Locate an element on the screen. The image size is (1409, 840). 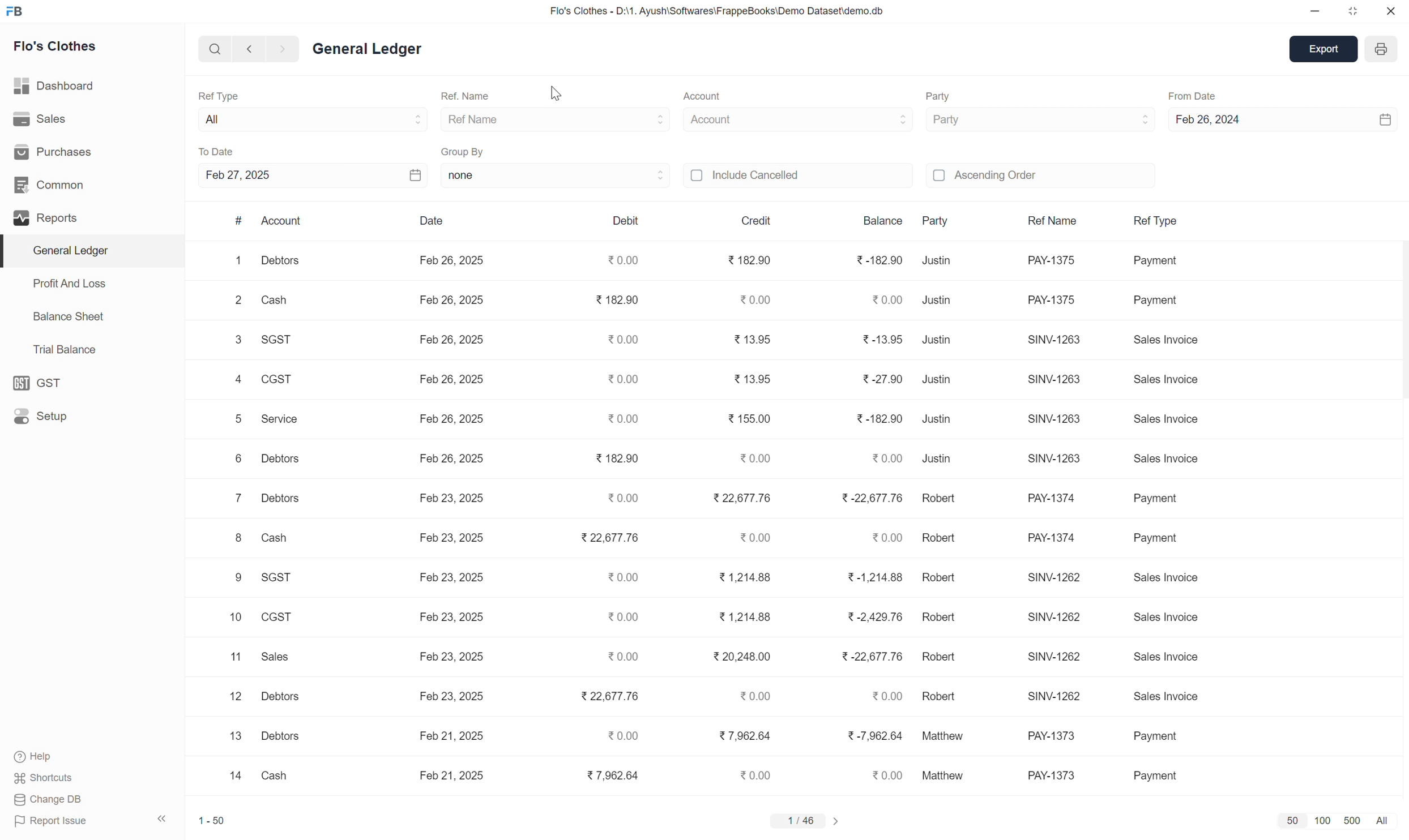
feb 26, 2025 is located at coordinates (452, 577).